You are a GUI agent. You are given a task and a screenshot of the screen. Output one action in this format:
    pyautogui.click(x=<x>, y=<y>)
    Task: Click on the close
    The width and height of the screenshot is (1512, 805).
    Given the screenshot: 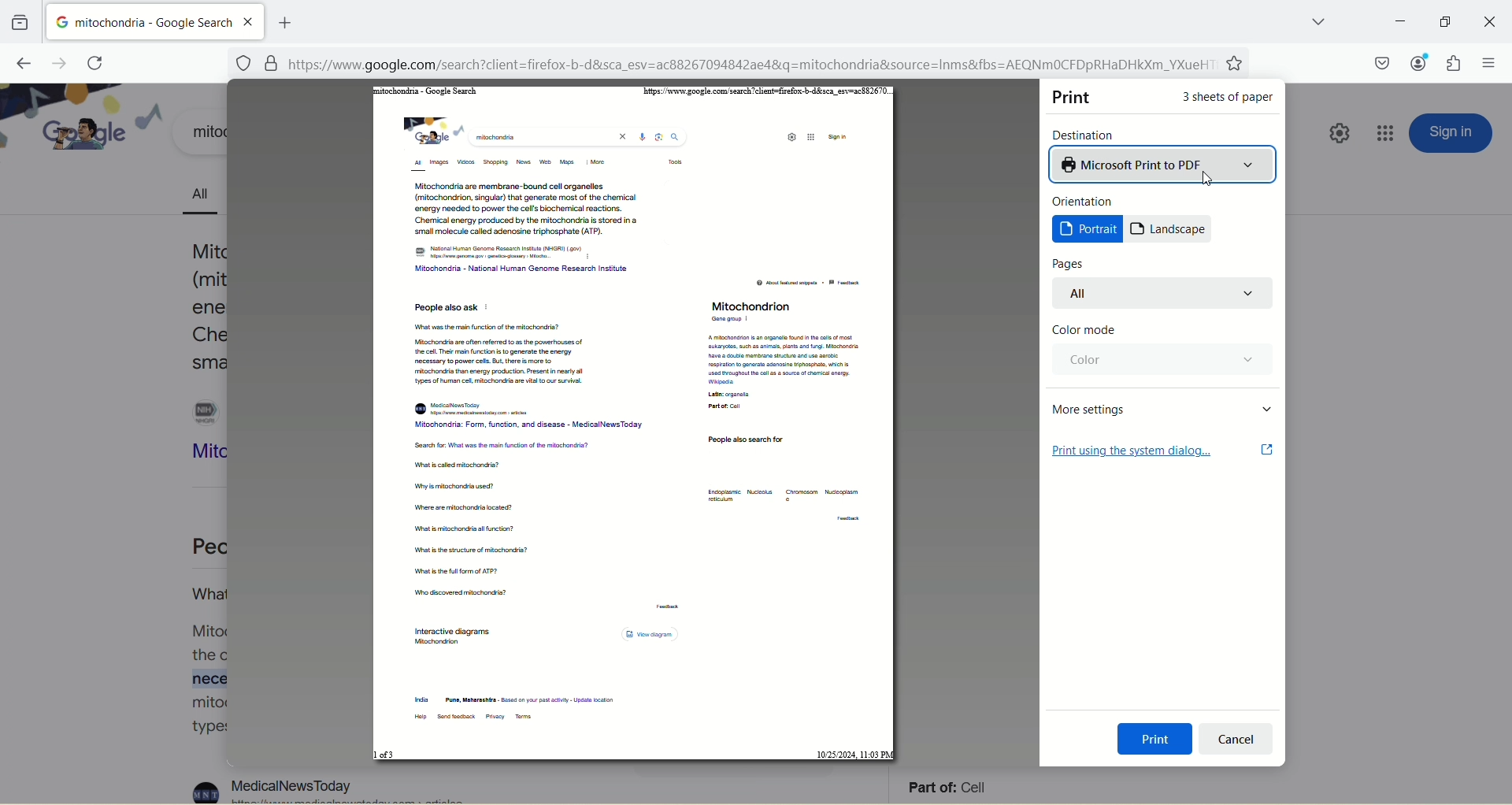 What is the action you would take?
    pyautogui.click(x=1487, y=21)
    